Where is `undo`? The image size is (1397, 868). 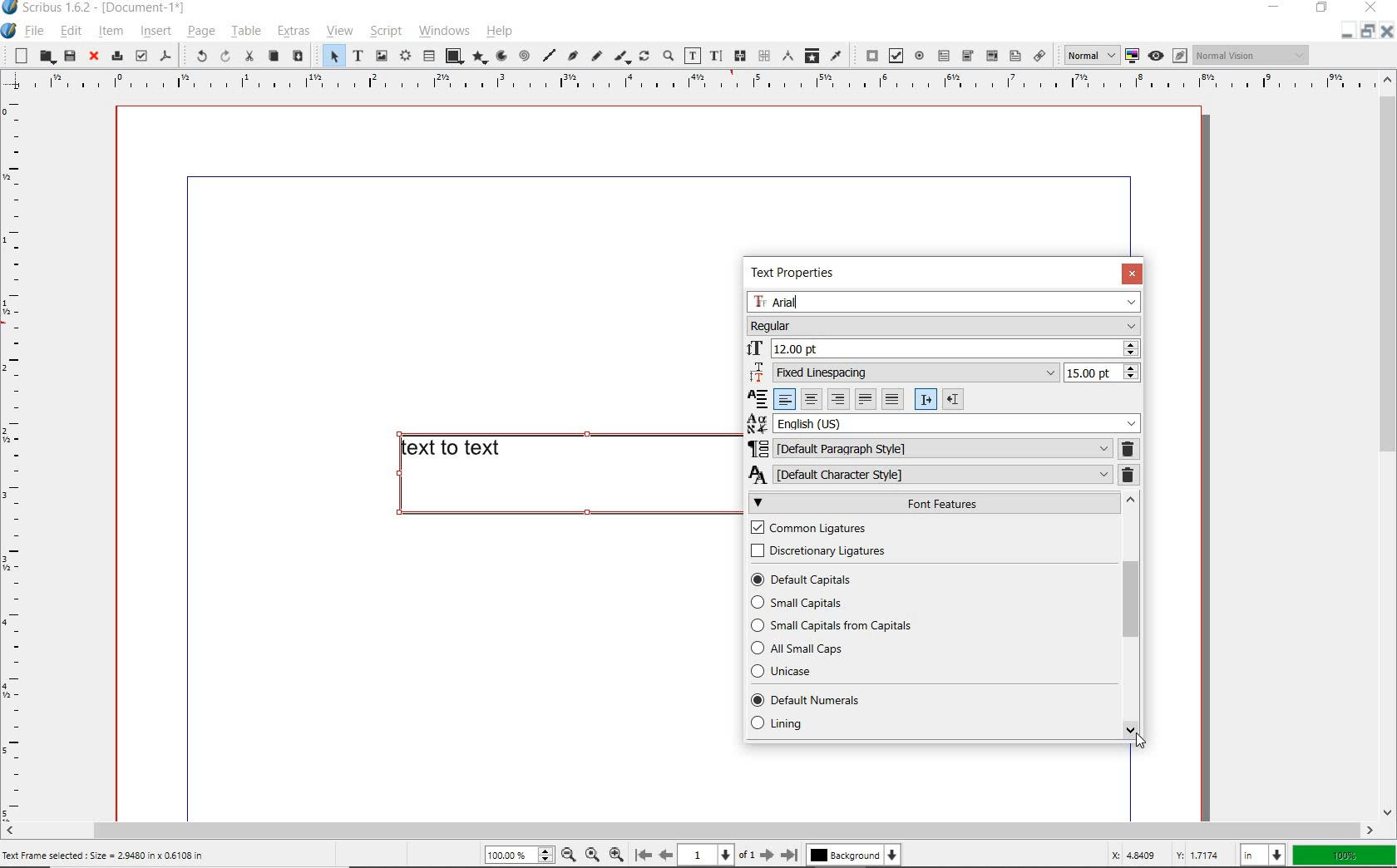 undo is located at coordinates (195, 55).